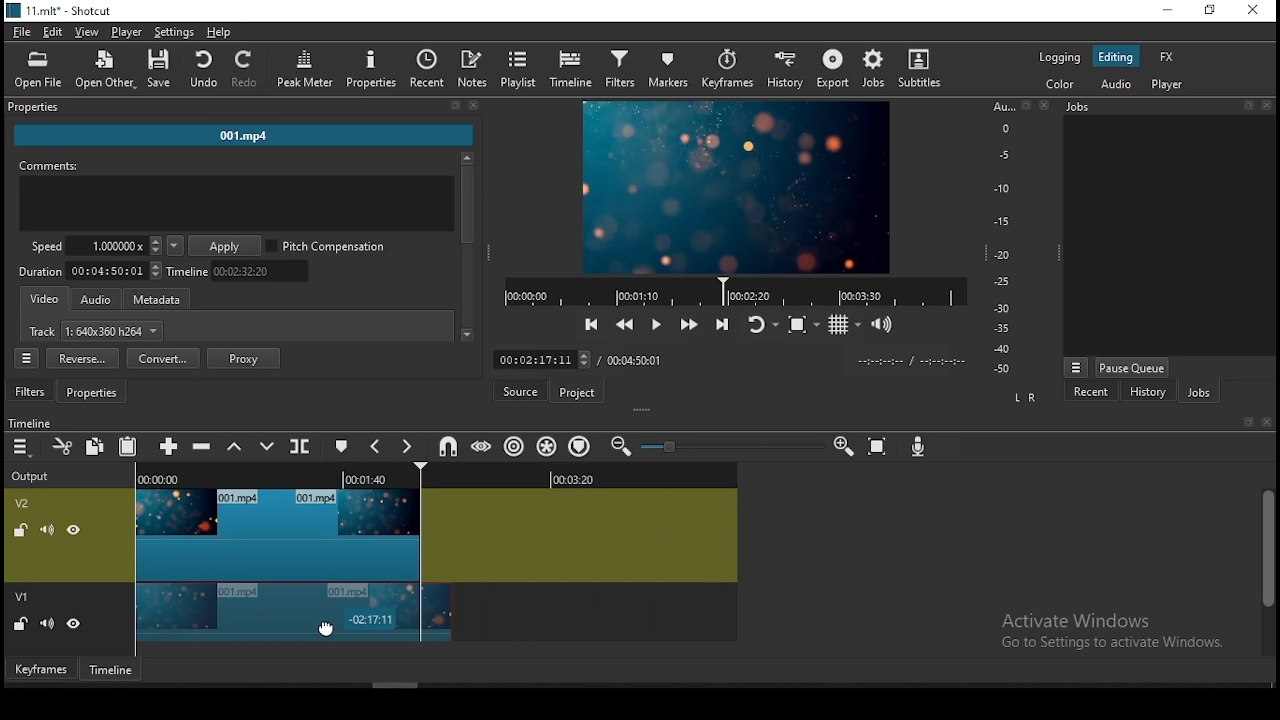 The image size is (1280, 720). Describe the element at coordinates (327, 628) in the screenshot. I see `cursor` at that location.